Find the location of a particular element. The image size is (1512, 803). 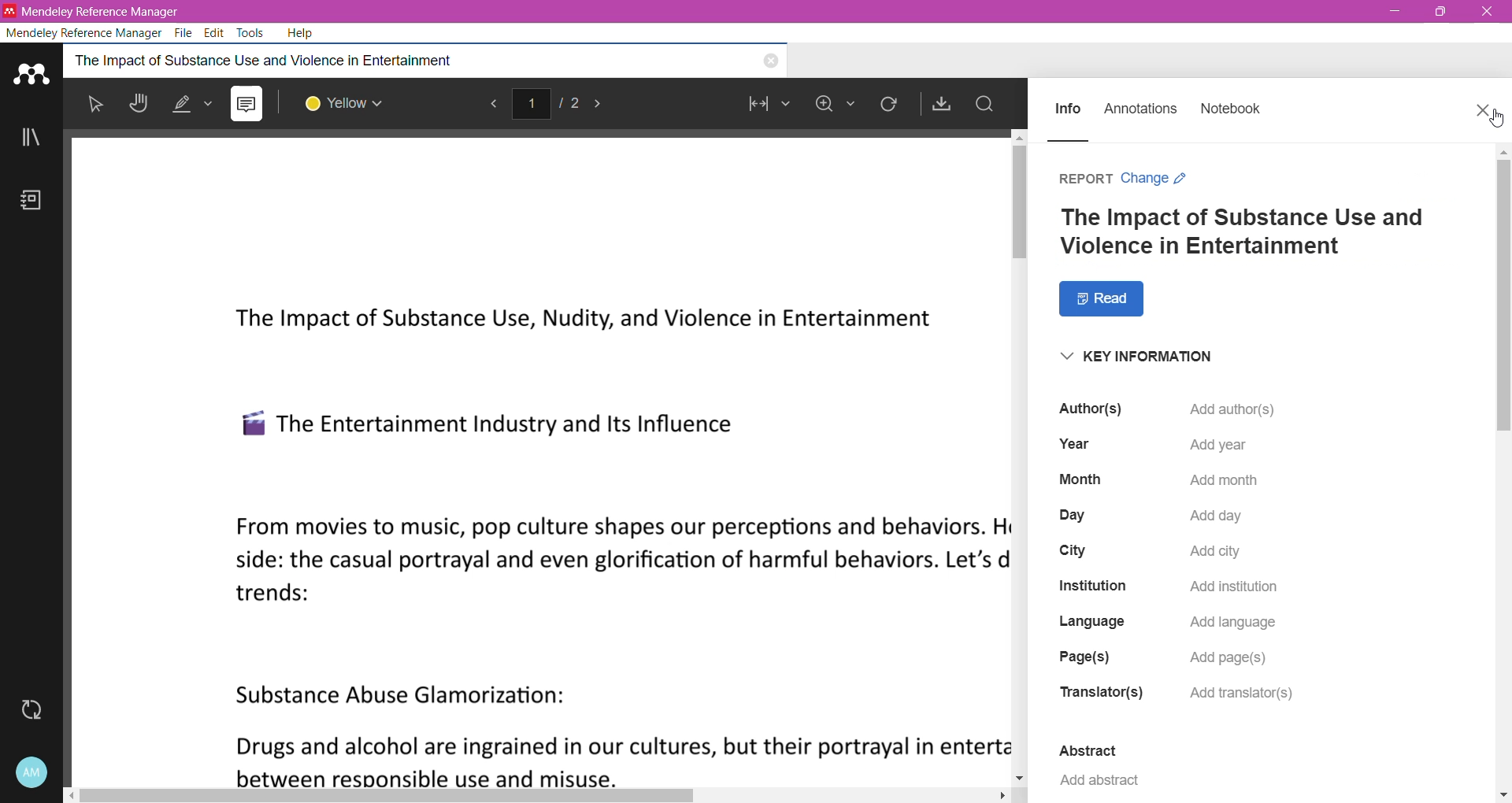

Vertical Scroll Bar is located at coordinates (1018, 457).